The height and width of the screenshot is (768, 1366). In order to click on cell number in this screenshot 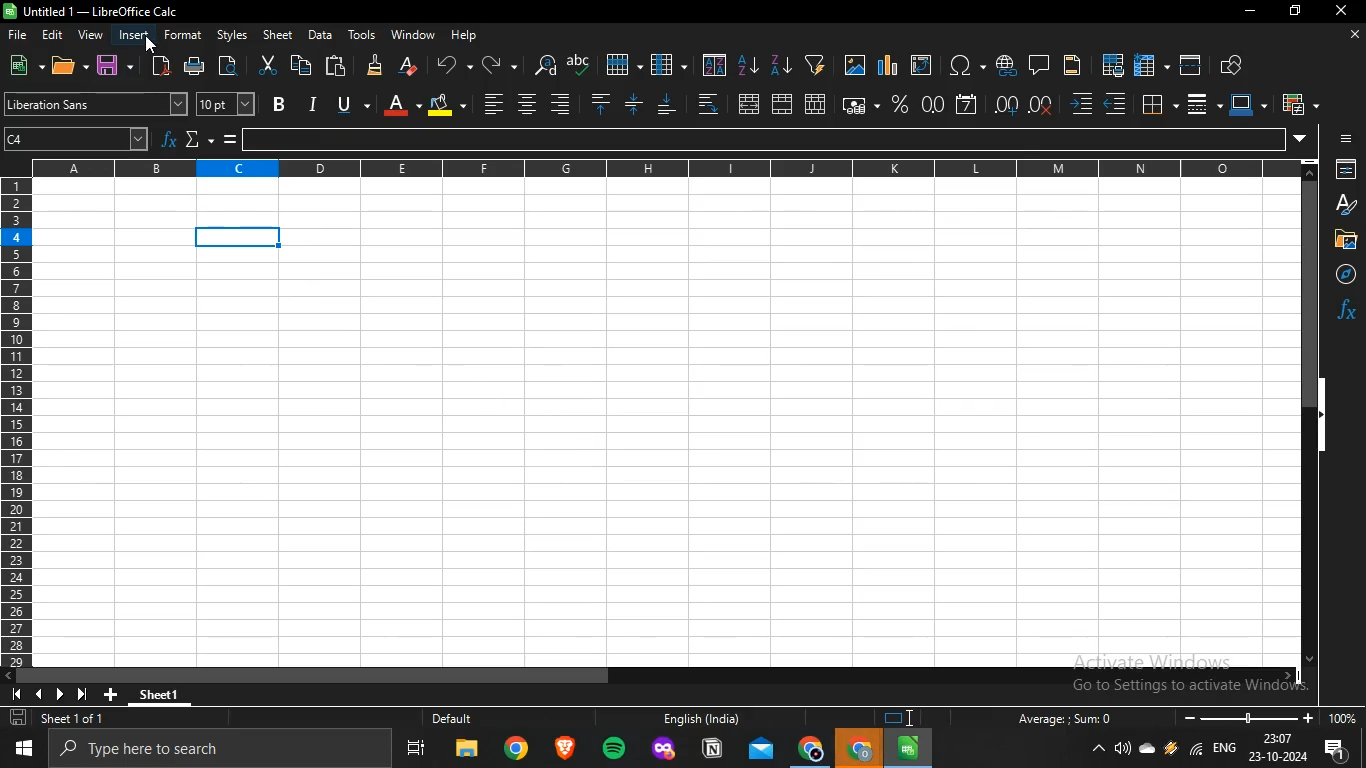, I will do `click(79, 141)`.